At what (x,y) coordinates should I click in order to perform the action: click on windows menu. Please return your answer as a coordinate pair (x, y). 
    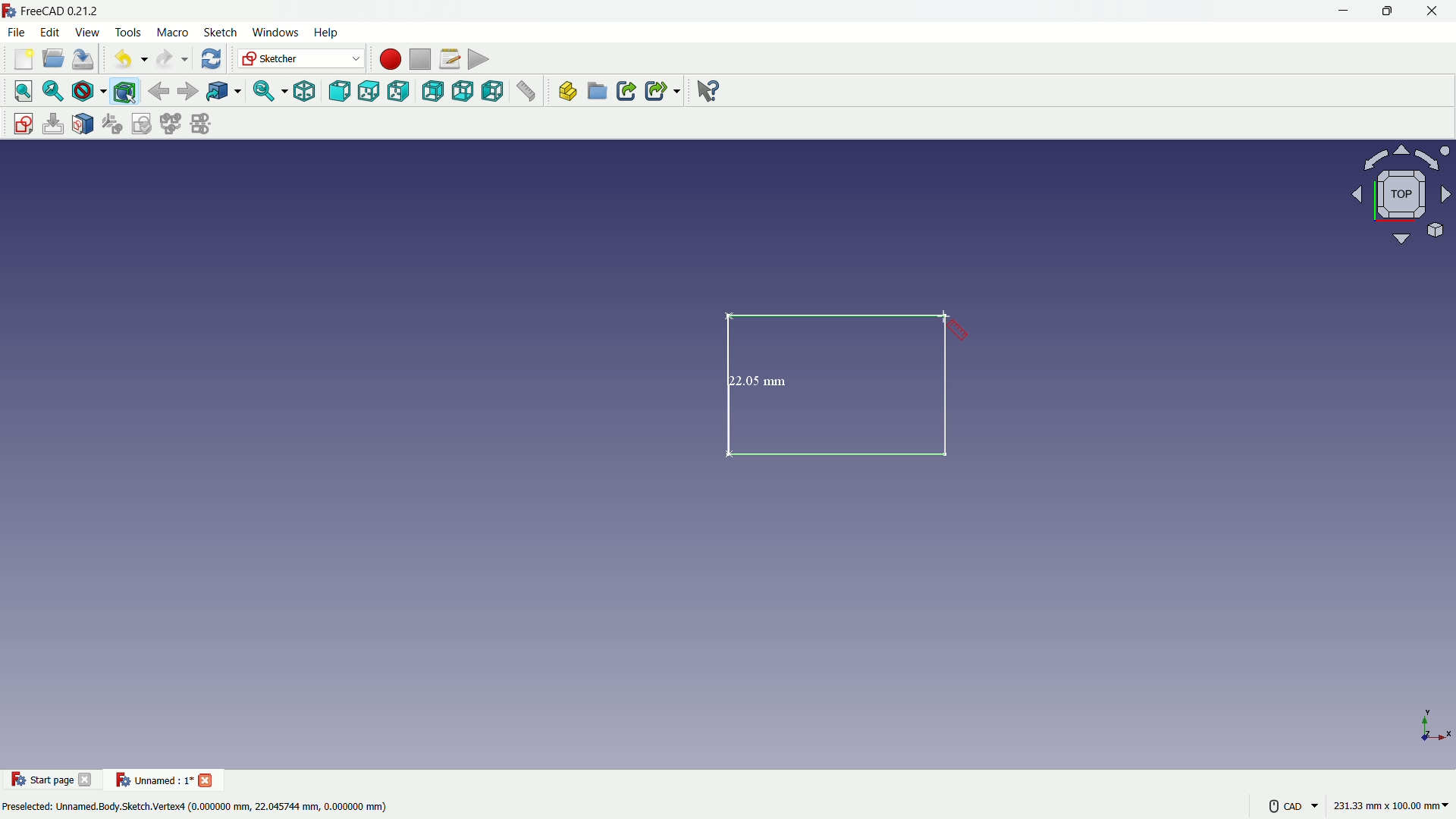
    Looking at the image, I should click on (275, 32).